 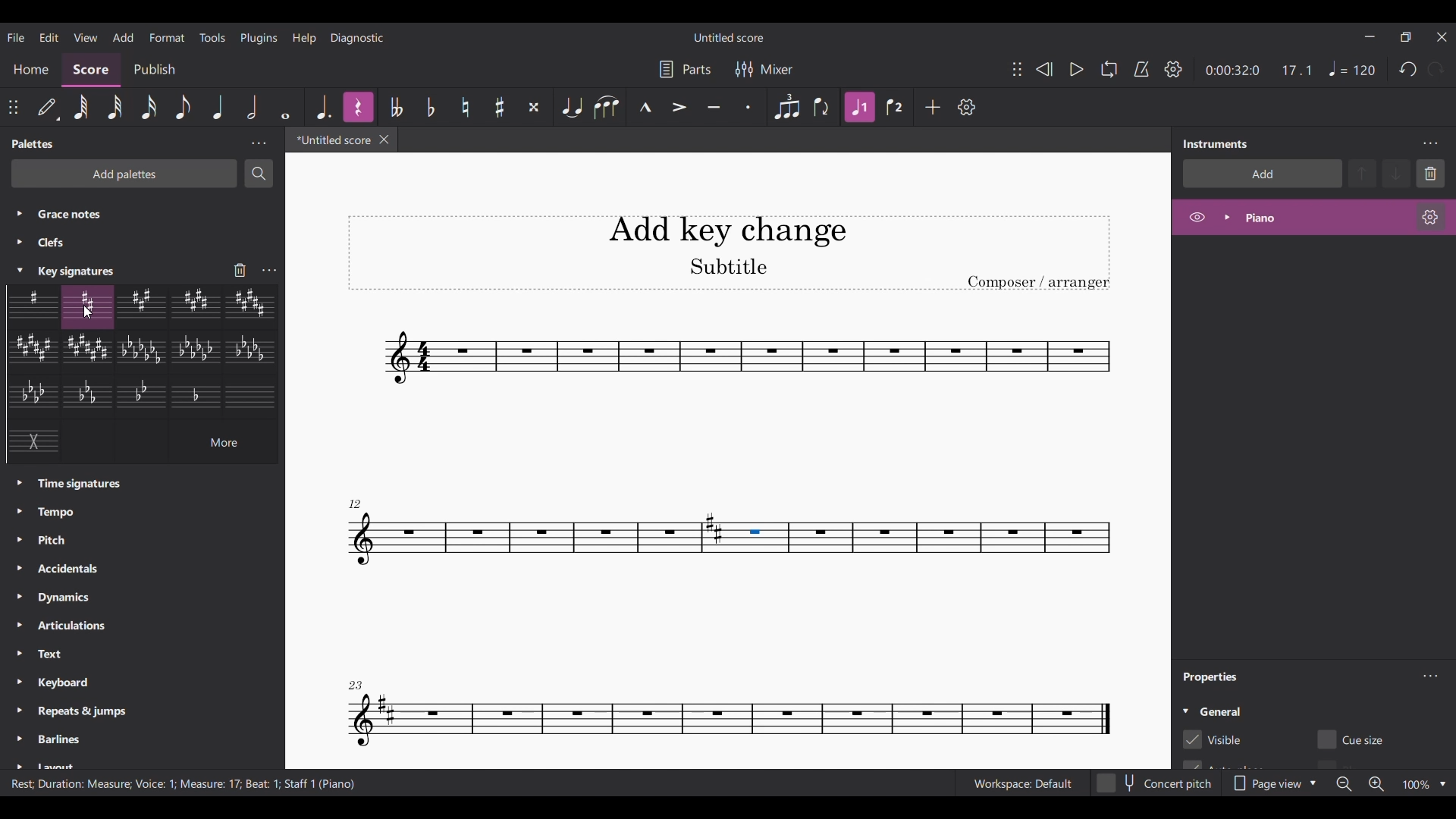 I want to click on Page view options, so click(x=1276, y=783).